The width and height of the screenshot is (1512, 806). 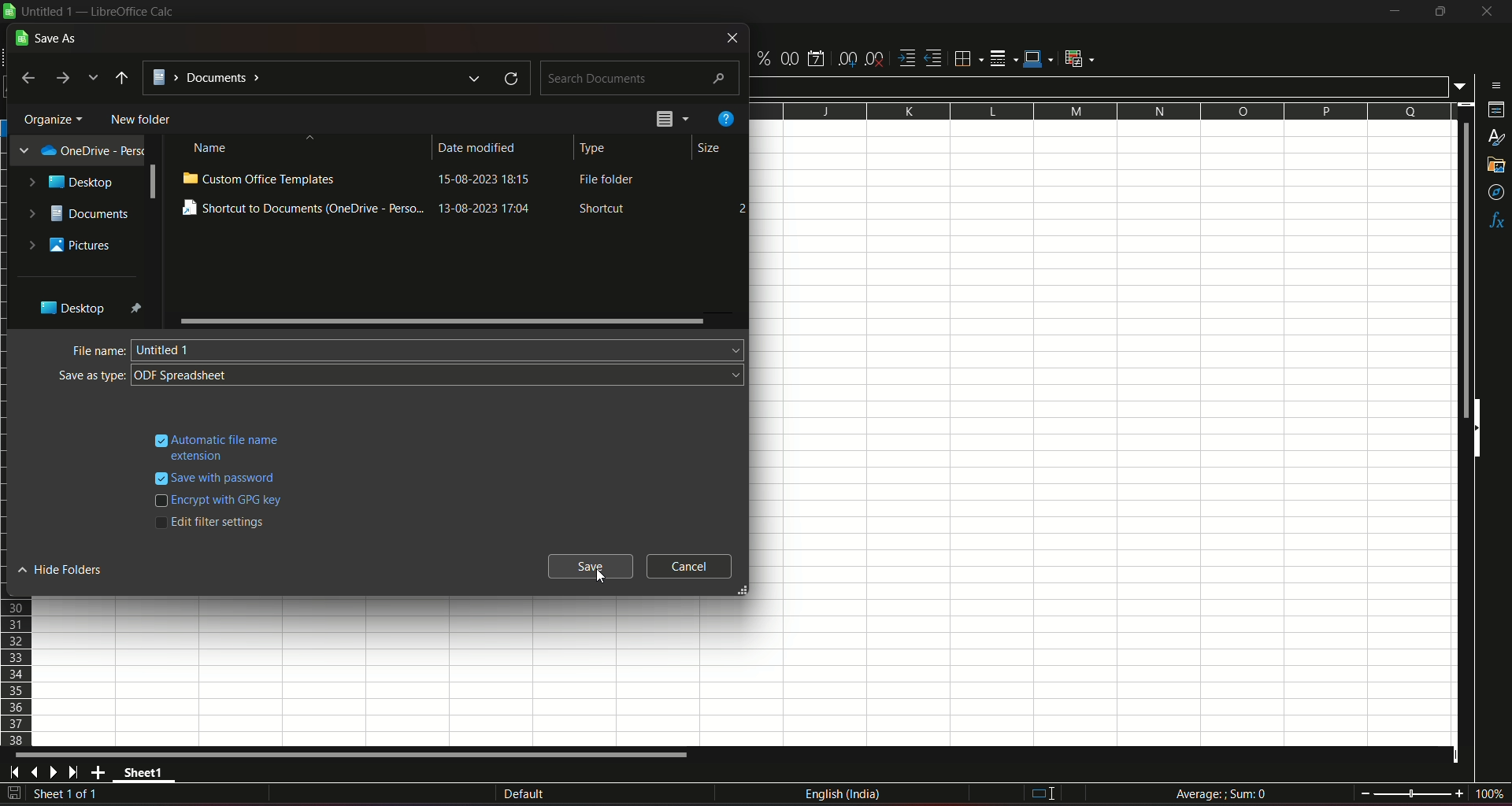 What do you see at coordinates (1494, 112) in the screenshot?
I see `properties` at bounding box center [1494, 112].